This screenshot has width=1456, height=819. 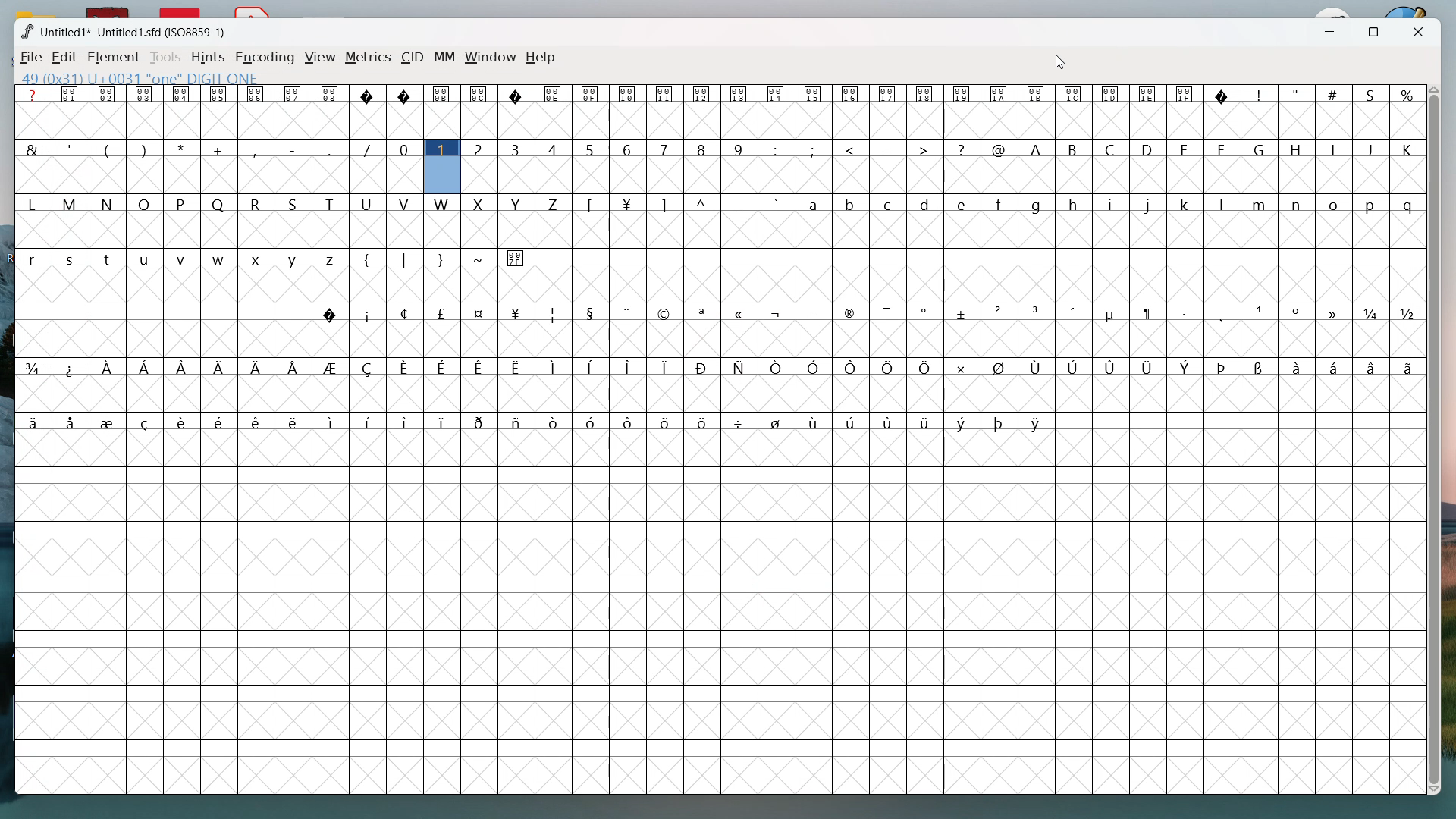 I want to click on CID, so click(x=413, y=58).